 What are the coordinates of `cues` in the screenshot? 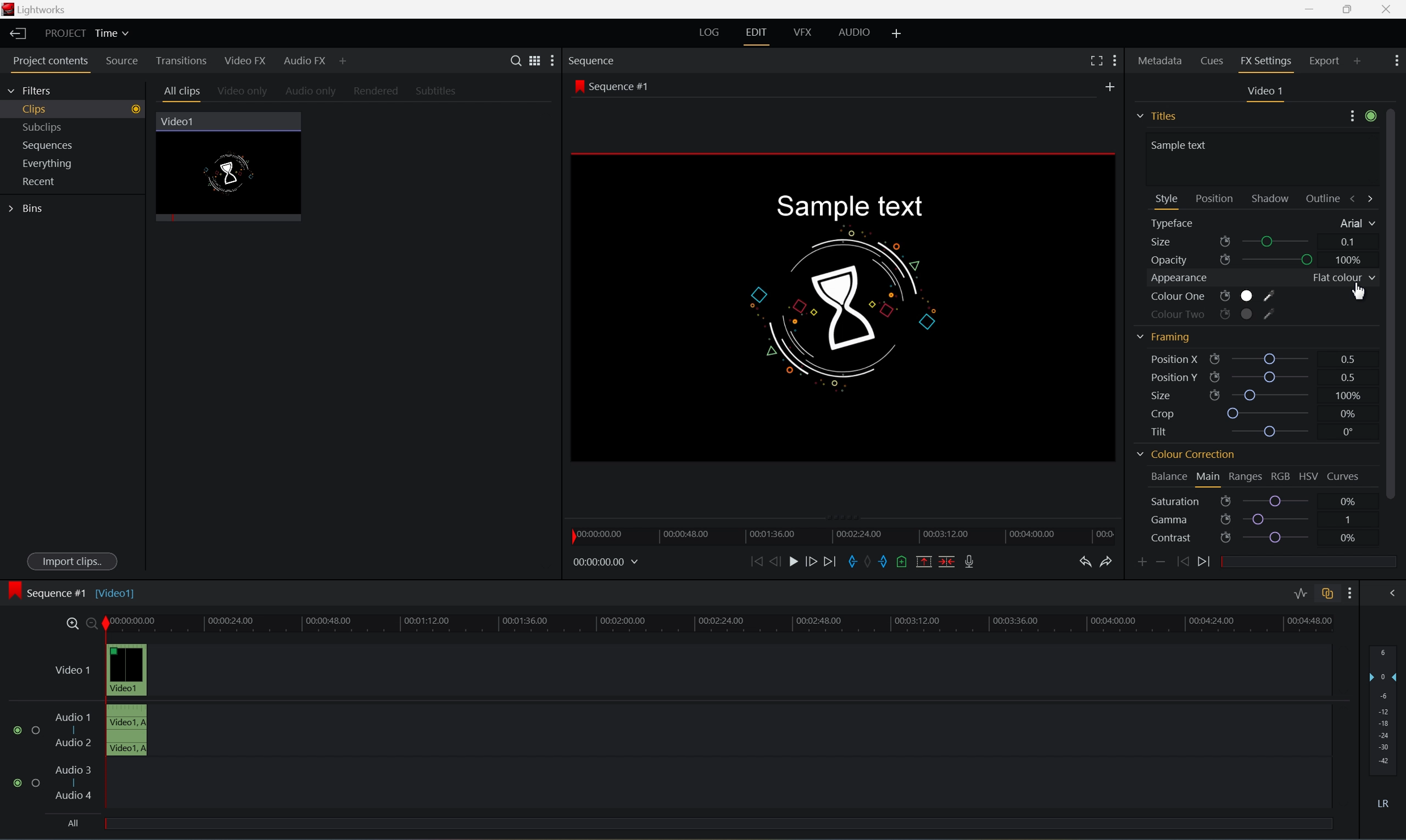 It's located at (1213, 63).